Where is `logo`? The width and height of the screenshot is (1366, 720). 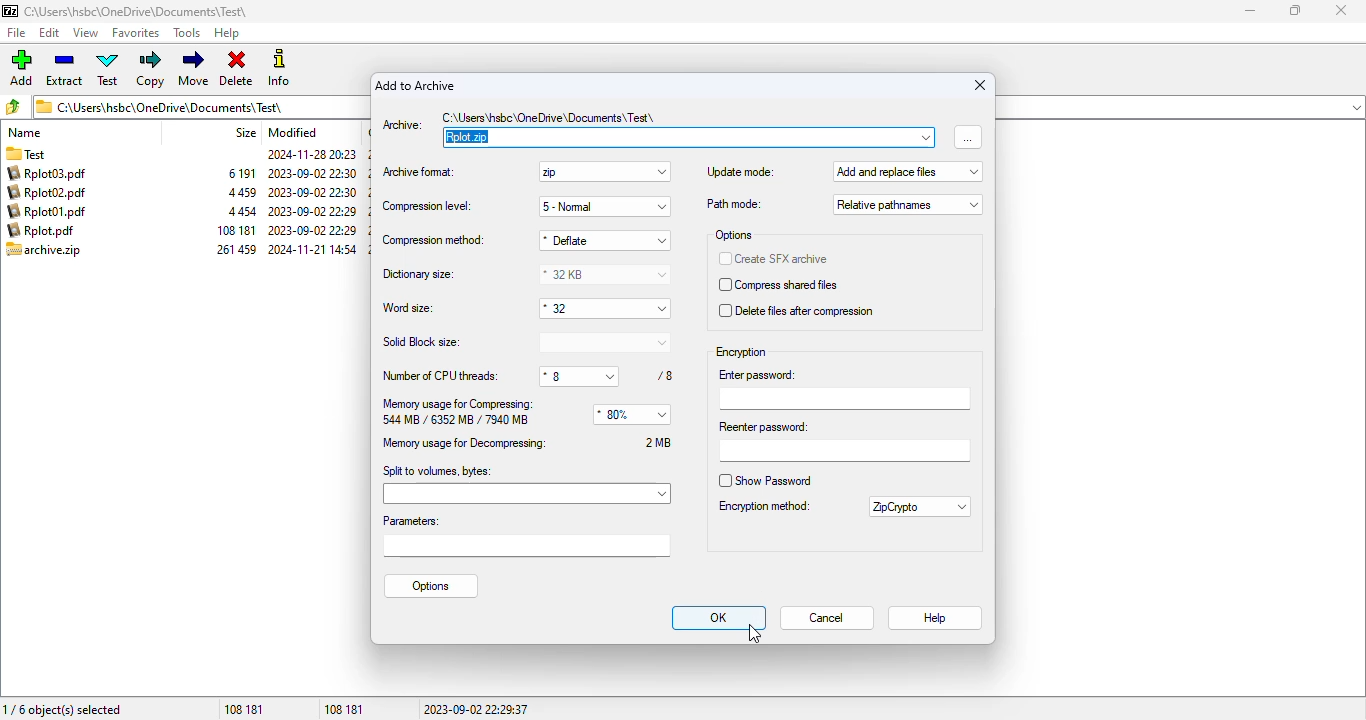
logo is located at coordinates (9, 10).